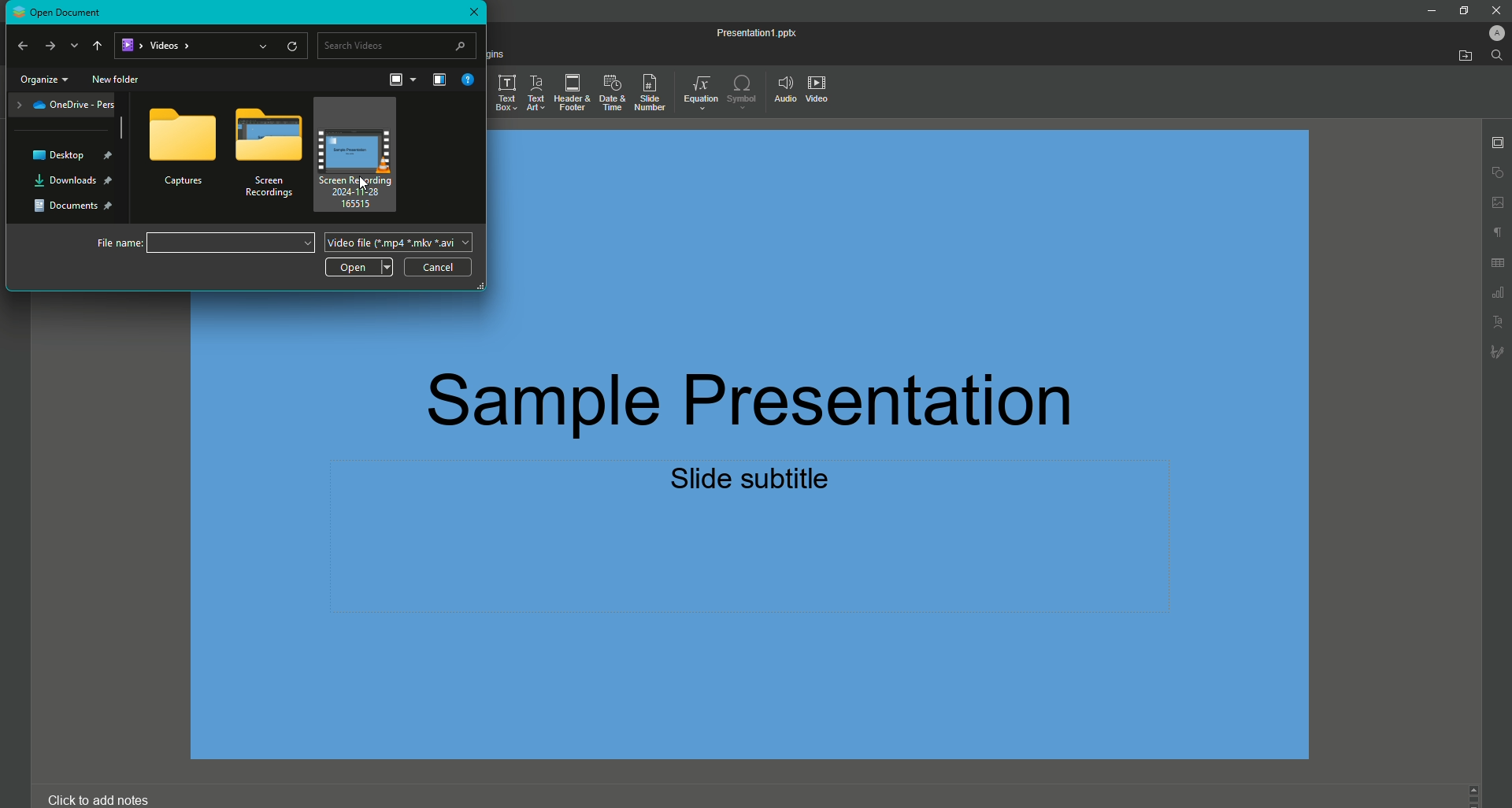 The width and height of the screenshot is (1512, 808). Describe the element at coordinates (212, 46) in the screenshot. I see `File Path` at that location.